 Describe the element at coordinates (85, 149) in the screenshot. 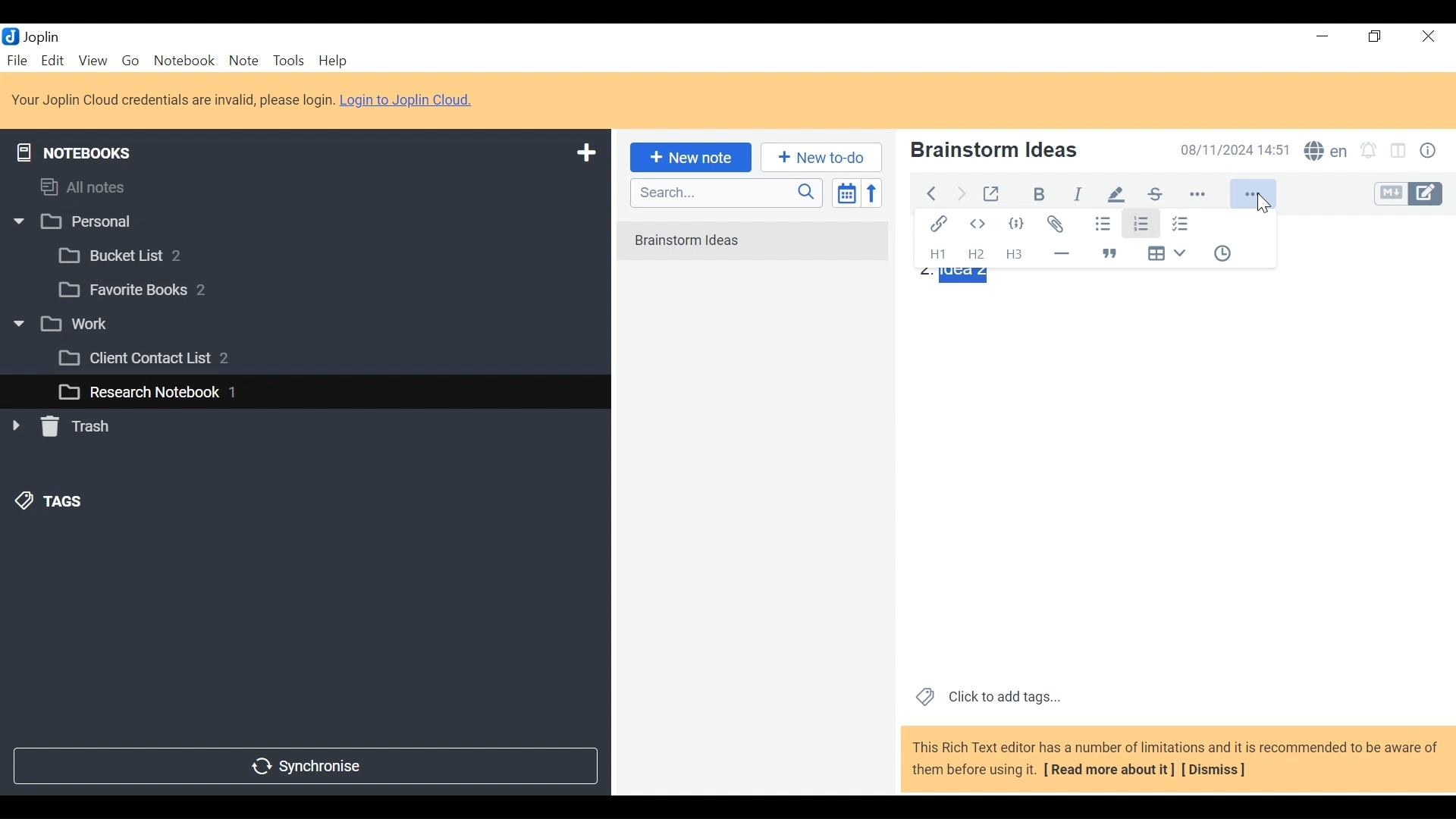

I see `Notebooks` at that location.